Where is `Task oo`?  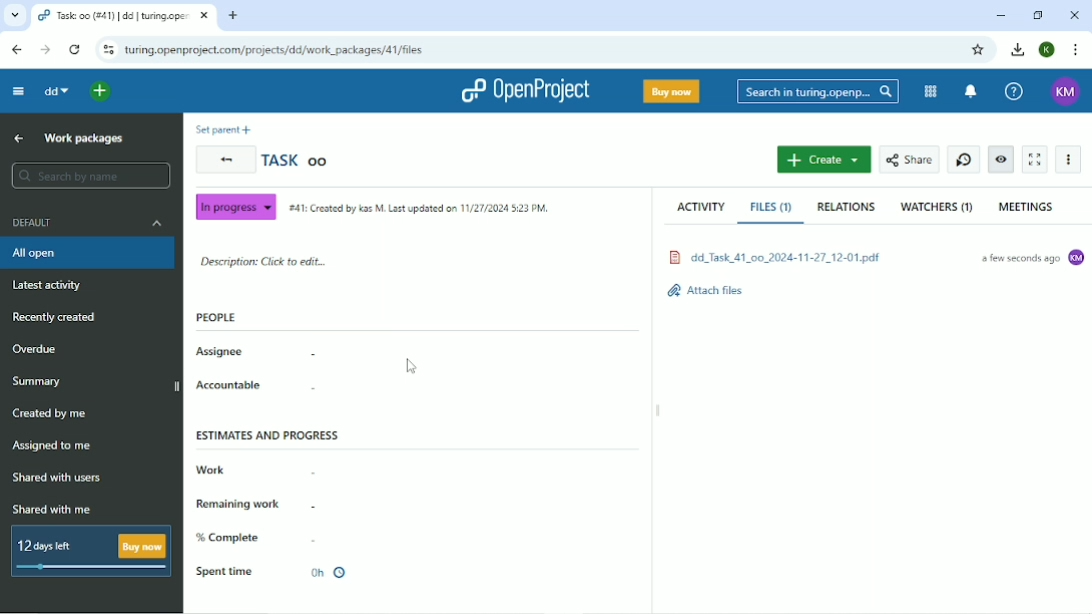 Task oo is located at coordinates (298, 160).